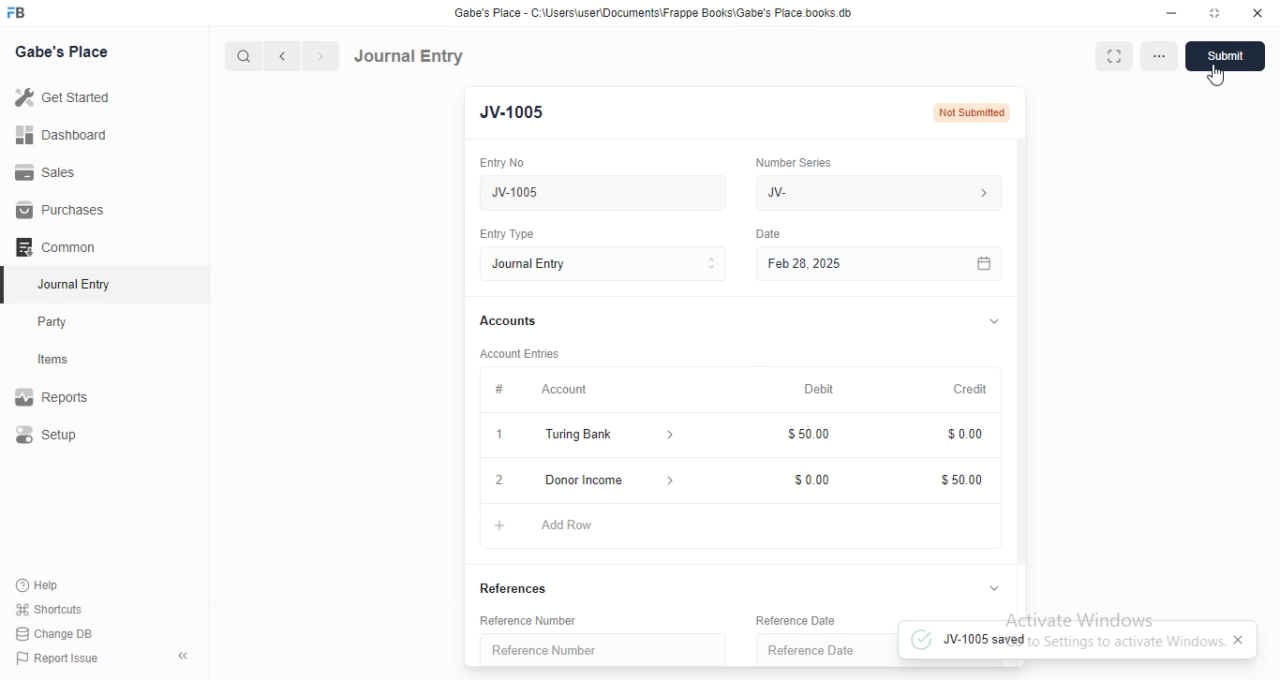 Image resolution: width=1280 pixels, height=680 pixels. What do you see at coordinates (66, 134) in the screenshot?
I see `Dashboard` at bounding box center [66, 134].